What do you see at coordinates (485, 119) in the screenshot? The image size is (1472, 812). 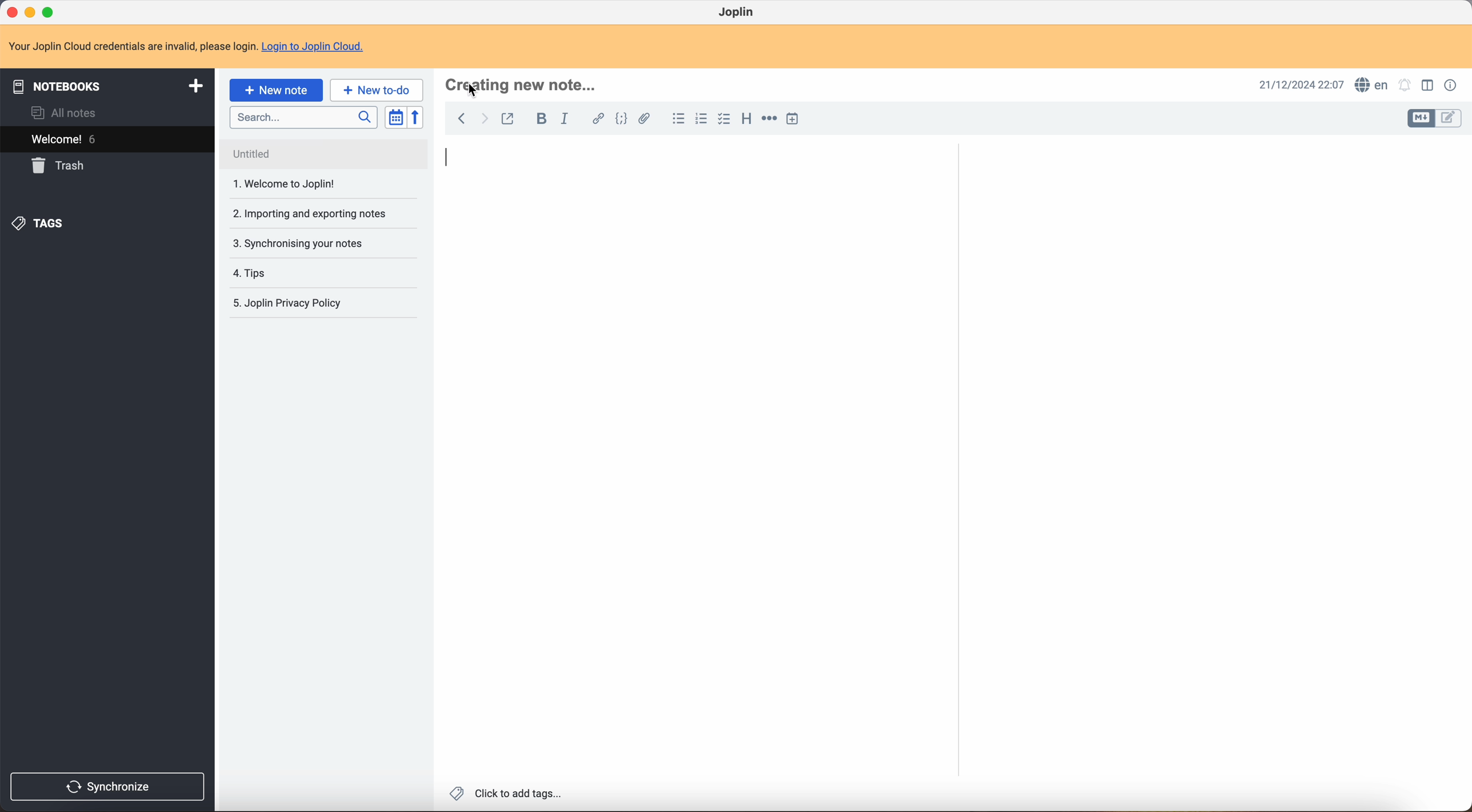 I see `foward` at bounding box center [485, 119].